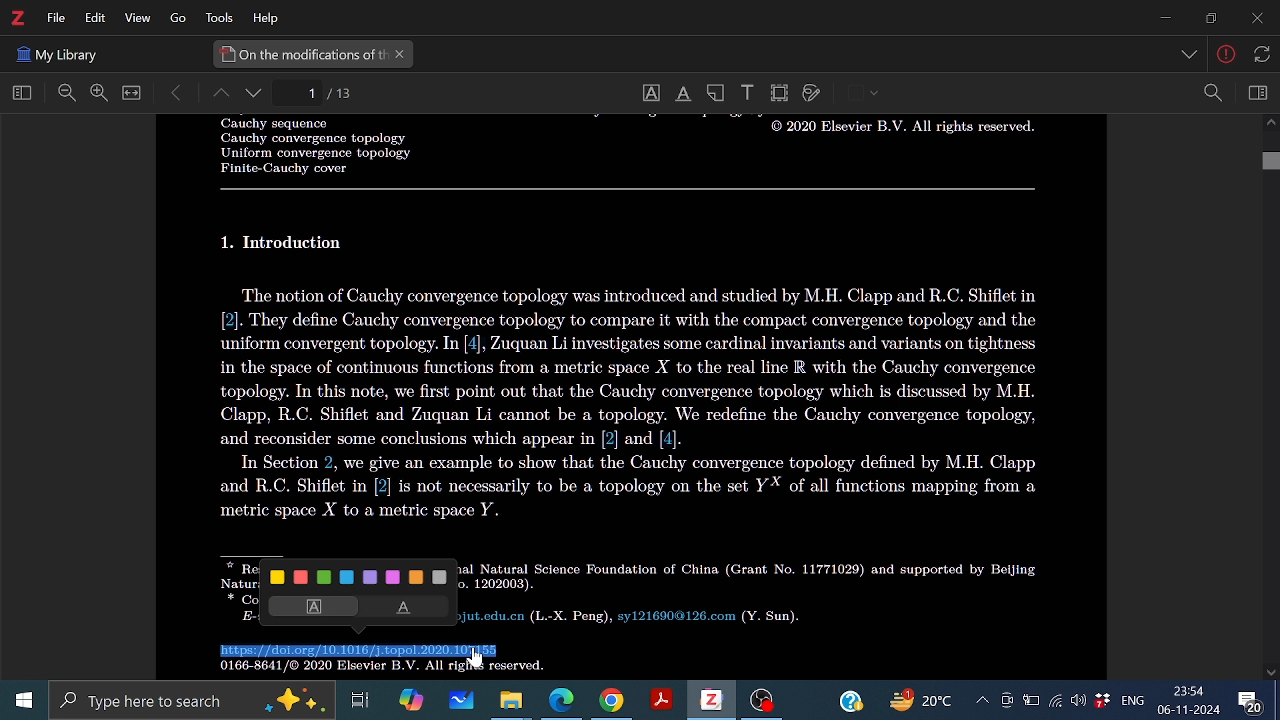 This screenshot has height=720, width=1280. What do you see at coordinates (362, 651) in the screenshot?
I see `Selected part of the text` at bounding box center [362, 651].